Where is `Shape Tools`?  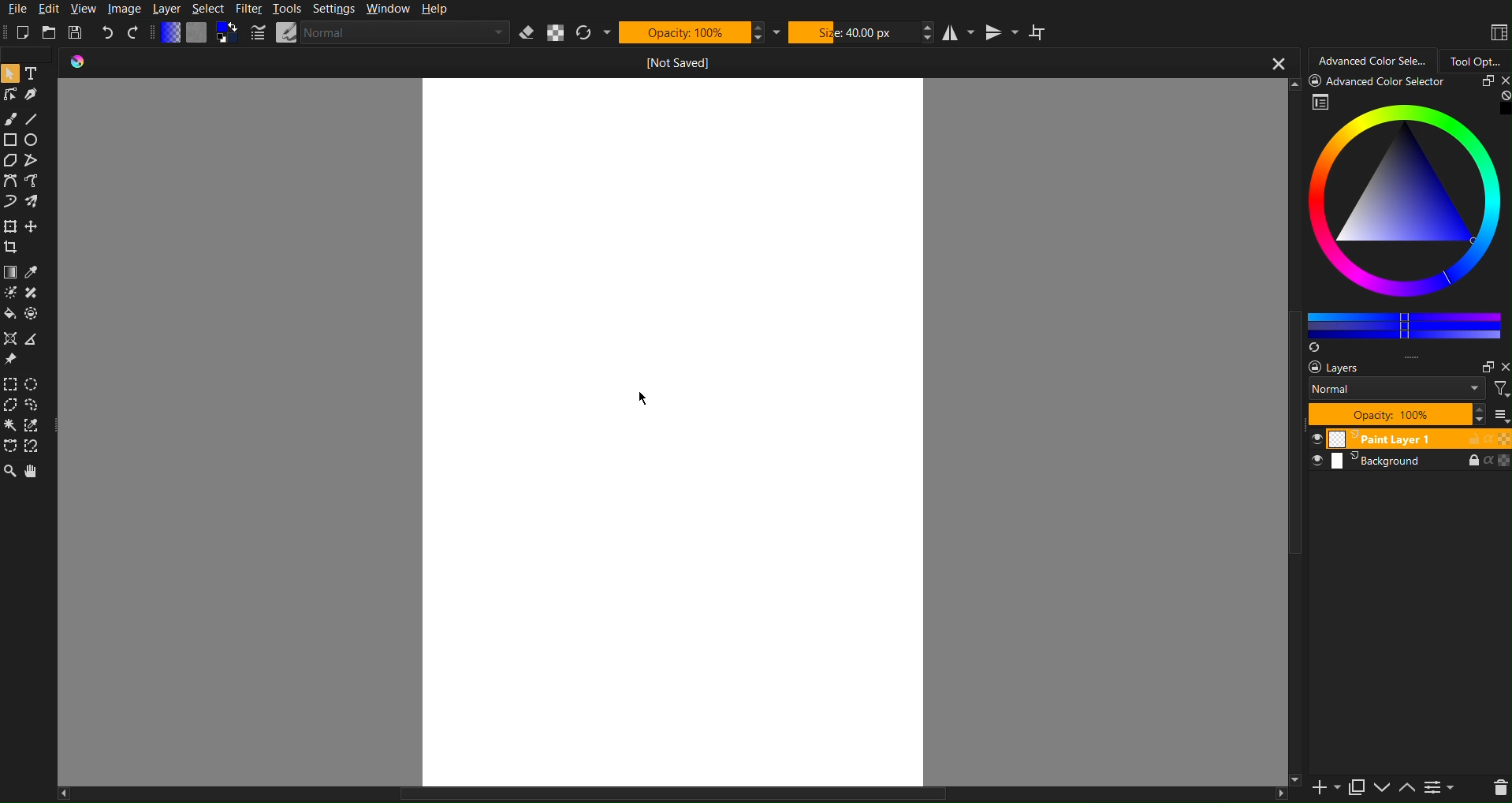 Shape Tools is located at coordinates (24, 150).